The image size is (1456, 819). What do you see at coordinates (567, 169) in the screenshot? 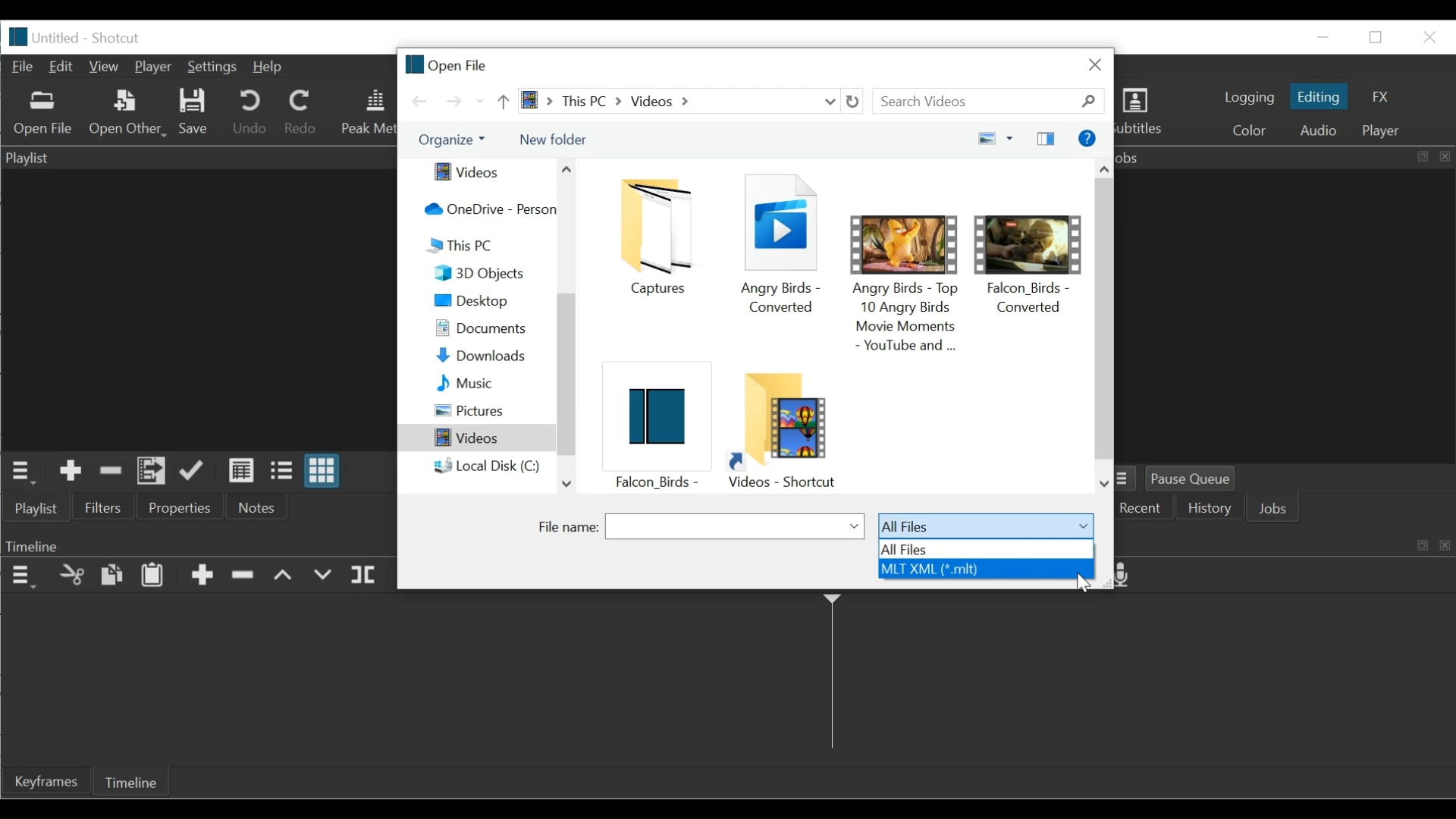
I see `Scroll up` at bounding box center [567, 169].